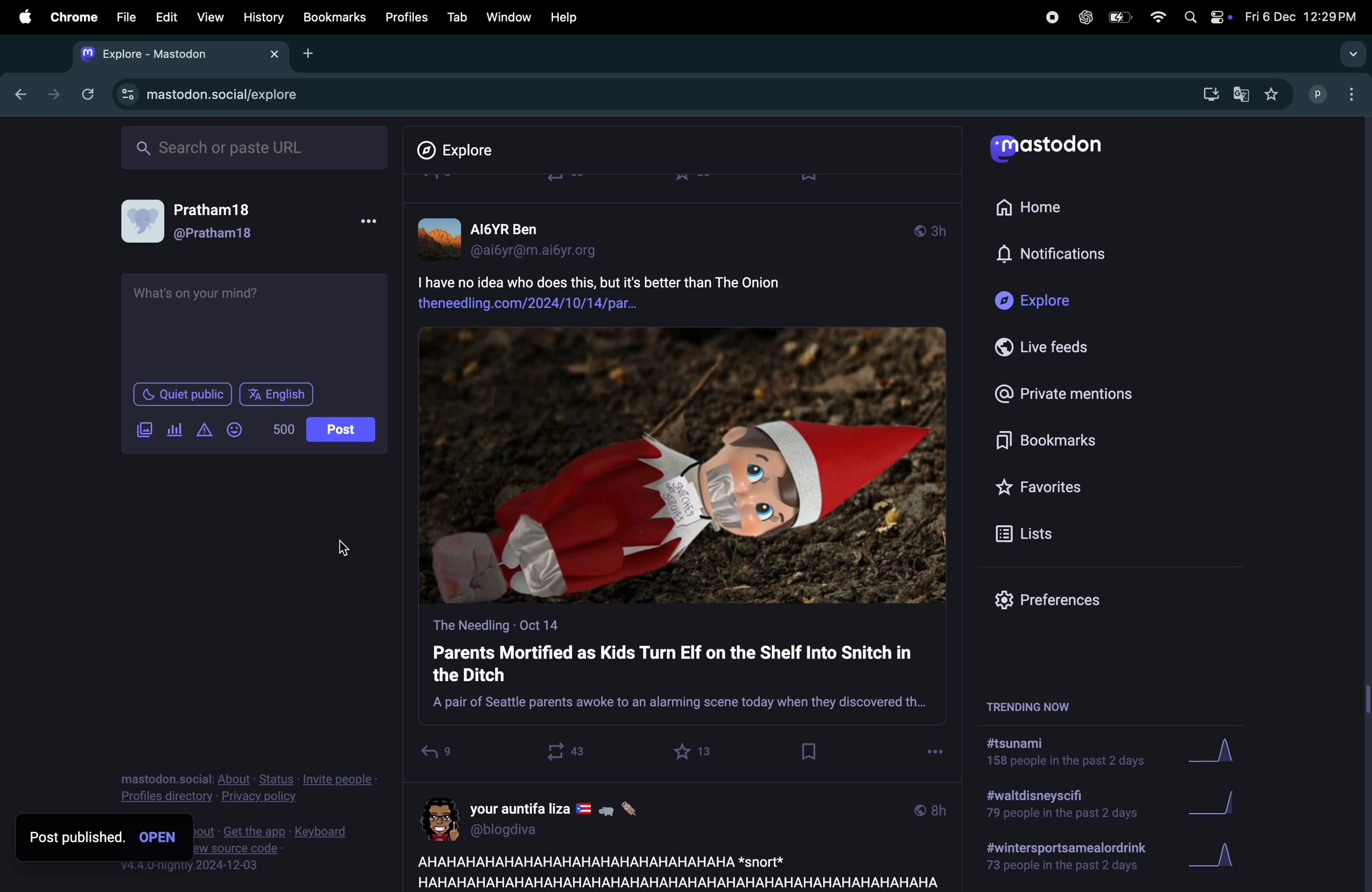 This screenshot has height=892, width=1372. Describe the element at coordinates (1336, 93) in the screenshot. I see `user profile` at that location.